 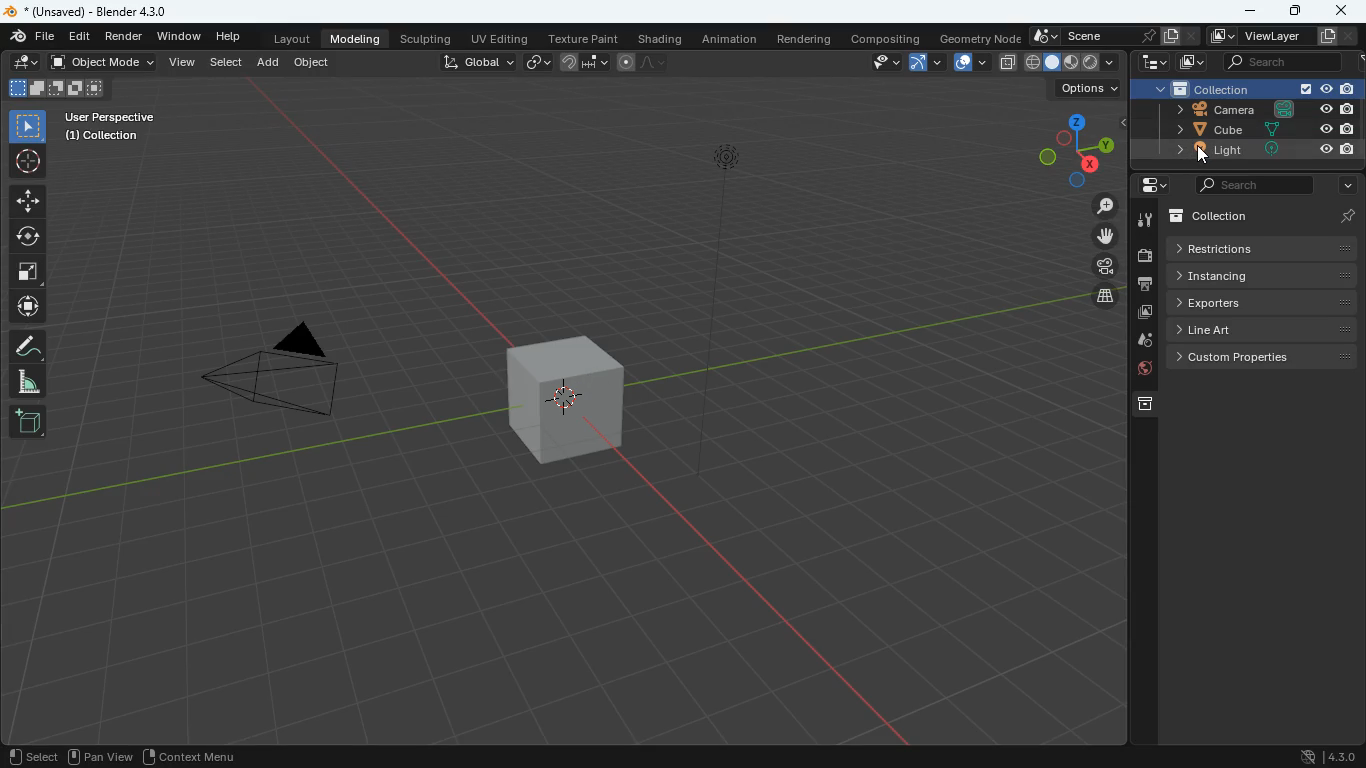 I want to click on render, so click(x=124, y=37).